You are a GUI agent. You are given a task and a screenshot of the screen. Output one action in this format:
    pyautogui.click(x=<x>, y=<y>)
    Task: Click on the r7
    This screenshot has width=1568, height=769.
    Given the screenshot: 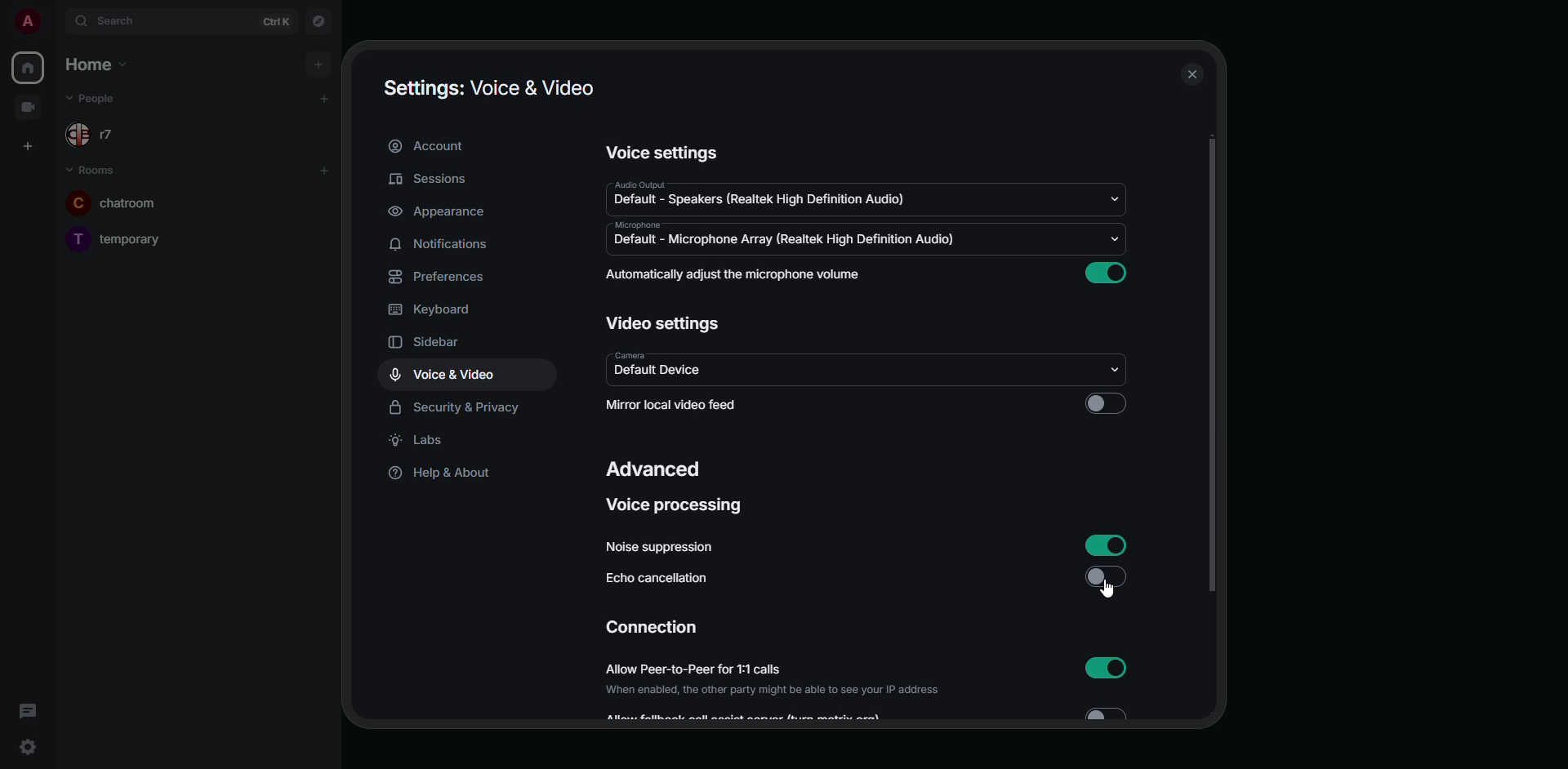 What is the action you would take?
    pyautogui.click(x=96, y=136)
    